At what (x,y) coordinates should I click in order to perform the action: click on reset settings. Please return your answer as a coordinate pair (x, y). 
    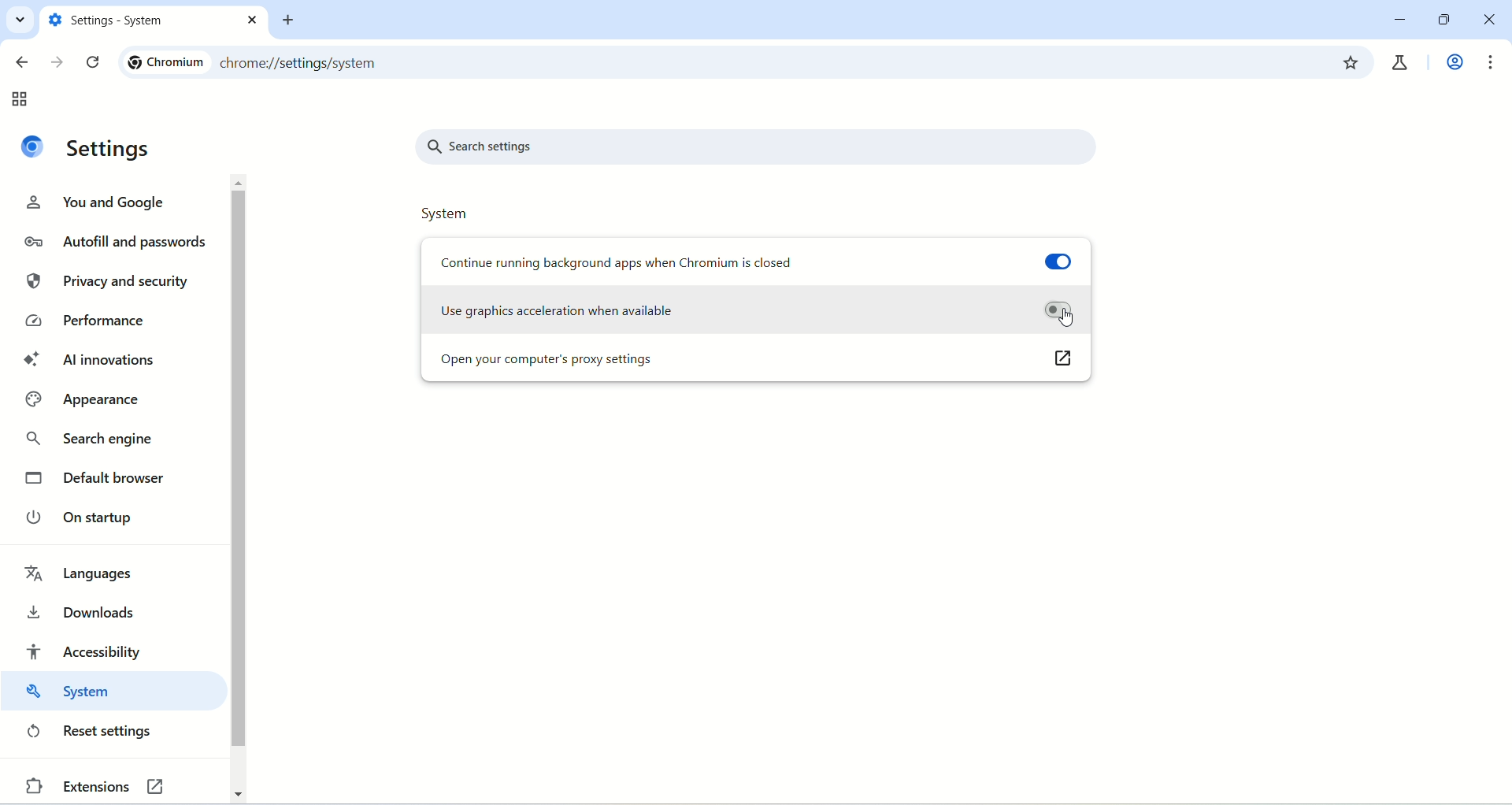
    Looking at the image, I should click on (92, 732).